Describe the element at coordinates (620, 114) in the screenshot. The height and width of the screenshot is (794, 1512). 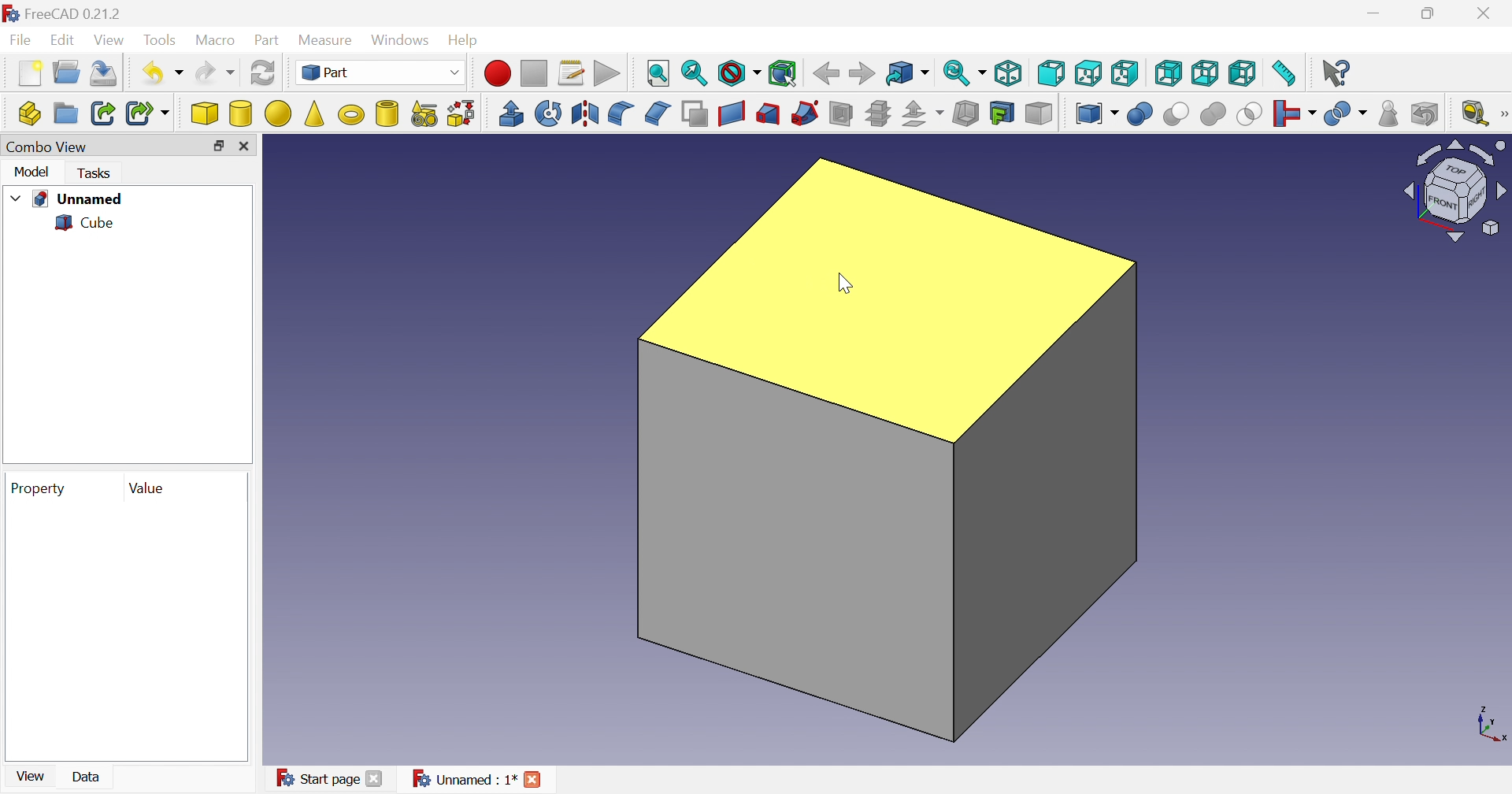
I see `Fillet` at that location.